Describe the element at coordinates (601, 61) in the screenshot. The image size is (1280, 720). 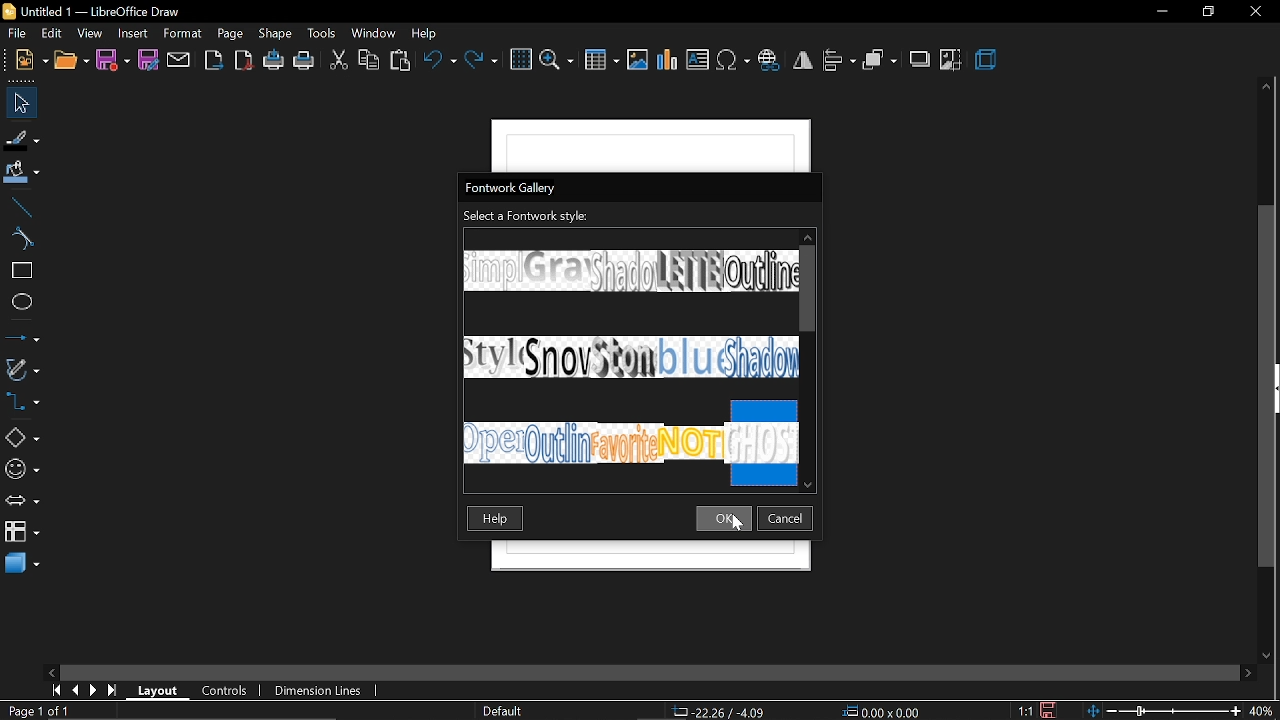
I see `insert table` at that location.